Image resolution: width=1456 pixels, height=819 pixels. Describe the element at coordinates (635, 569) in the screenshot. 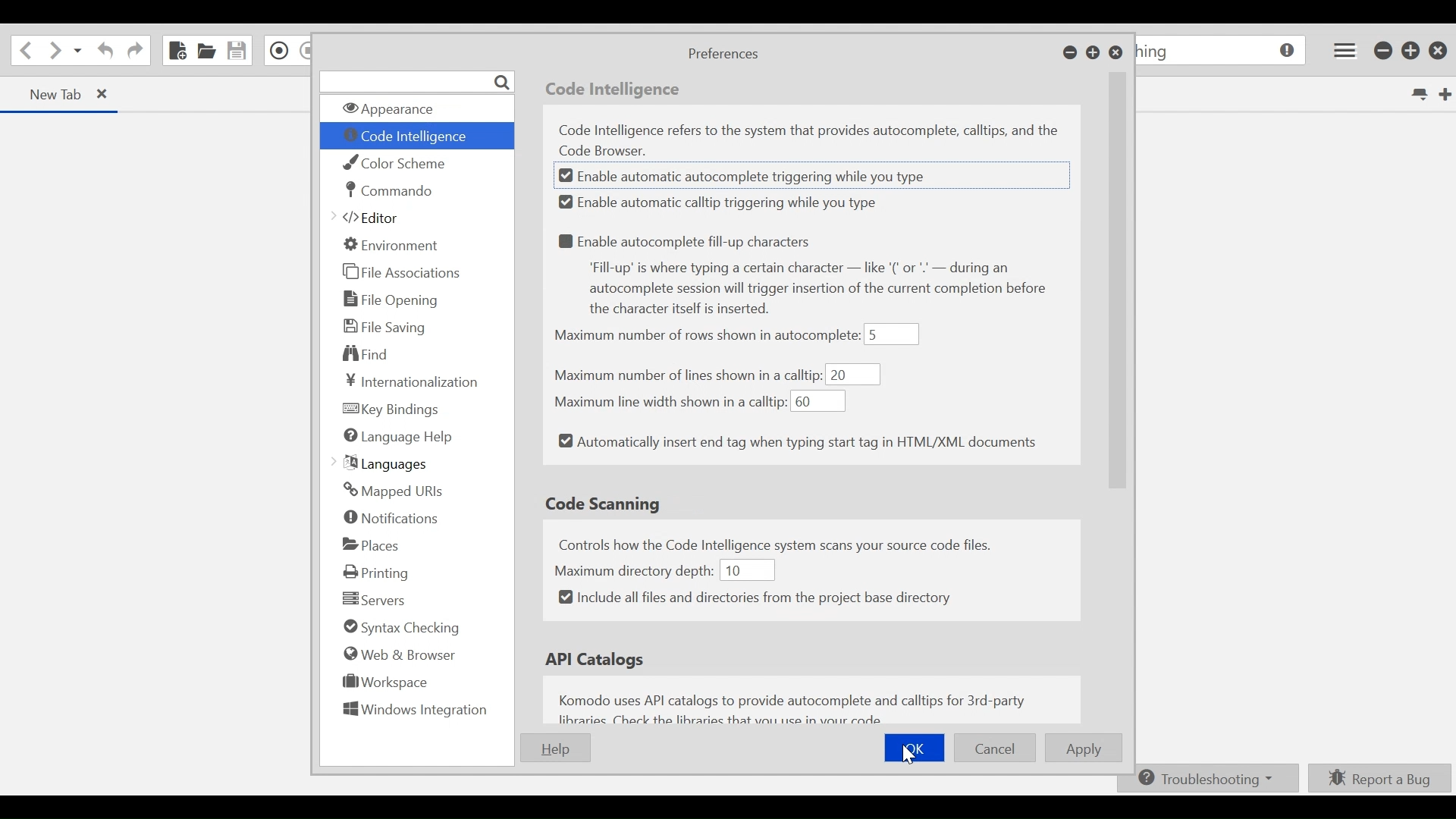

I see `Maximum directory depth:` at that location.